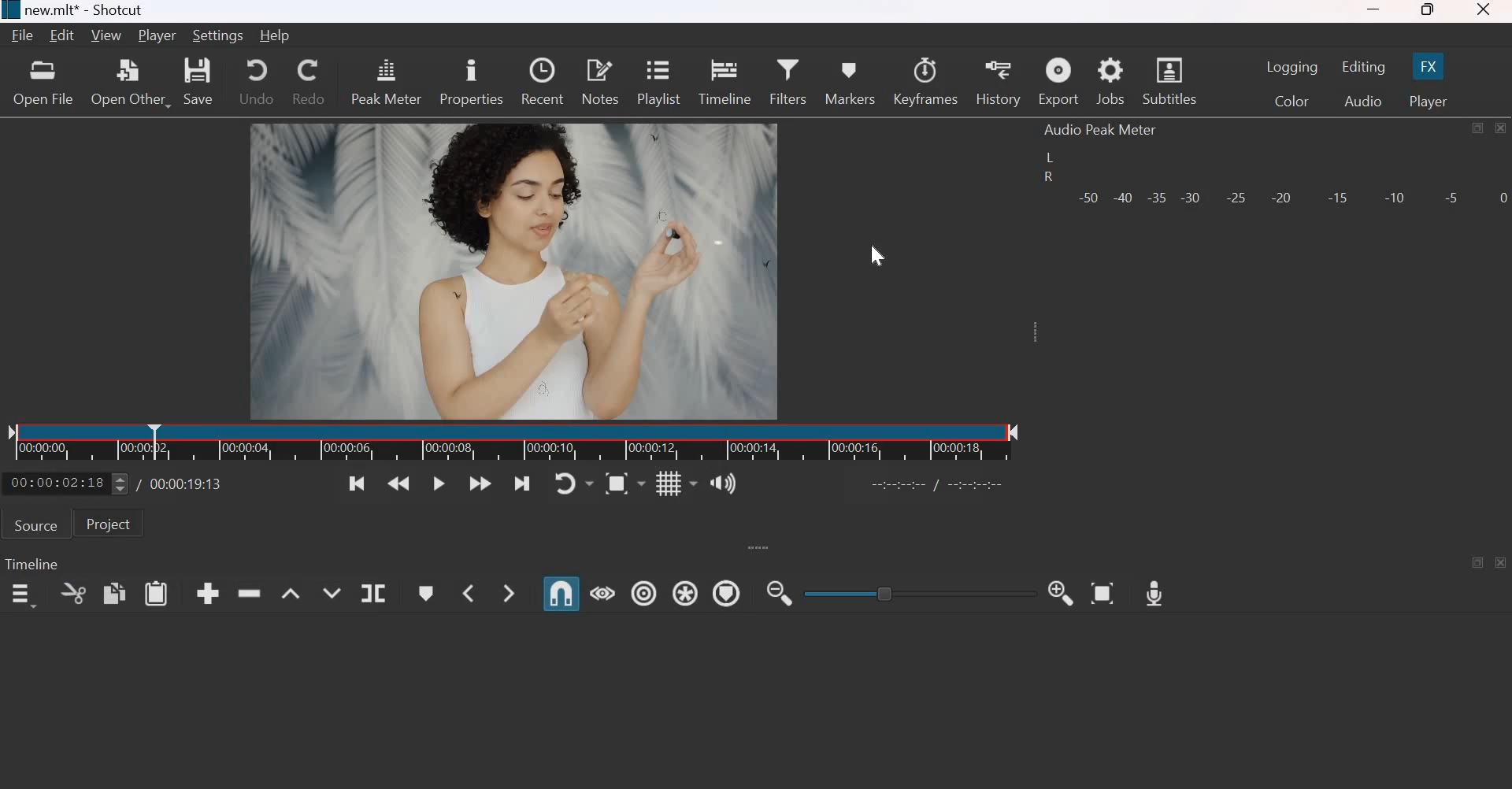 The image size is (1512, 789). Describe the element at coordinates (188, 483) in the screenshot. I see `Total duration` at that location.